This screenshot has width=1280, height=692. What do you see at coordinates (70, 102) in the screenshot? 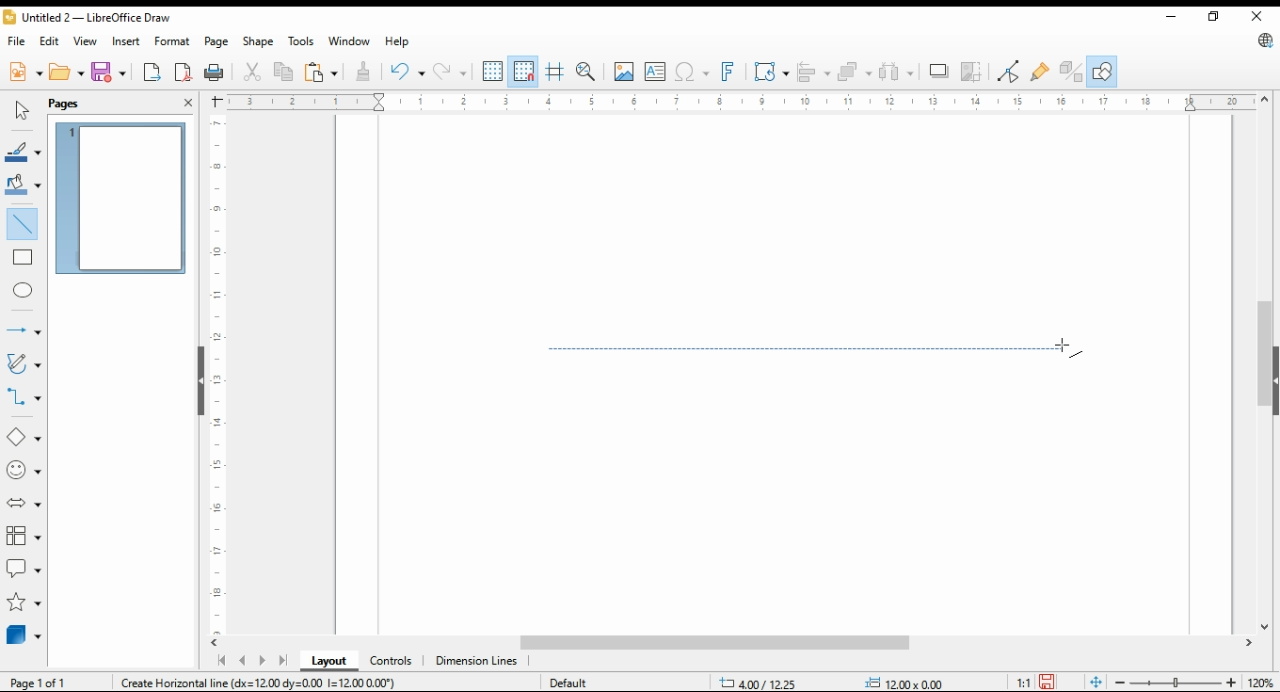
I see `pages` at bounding box center [70, 102].